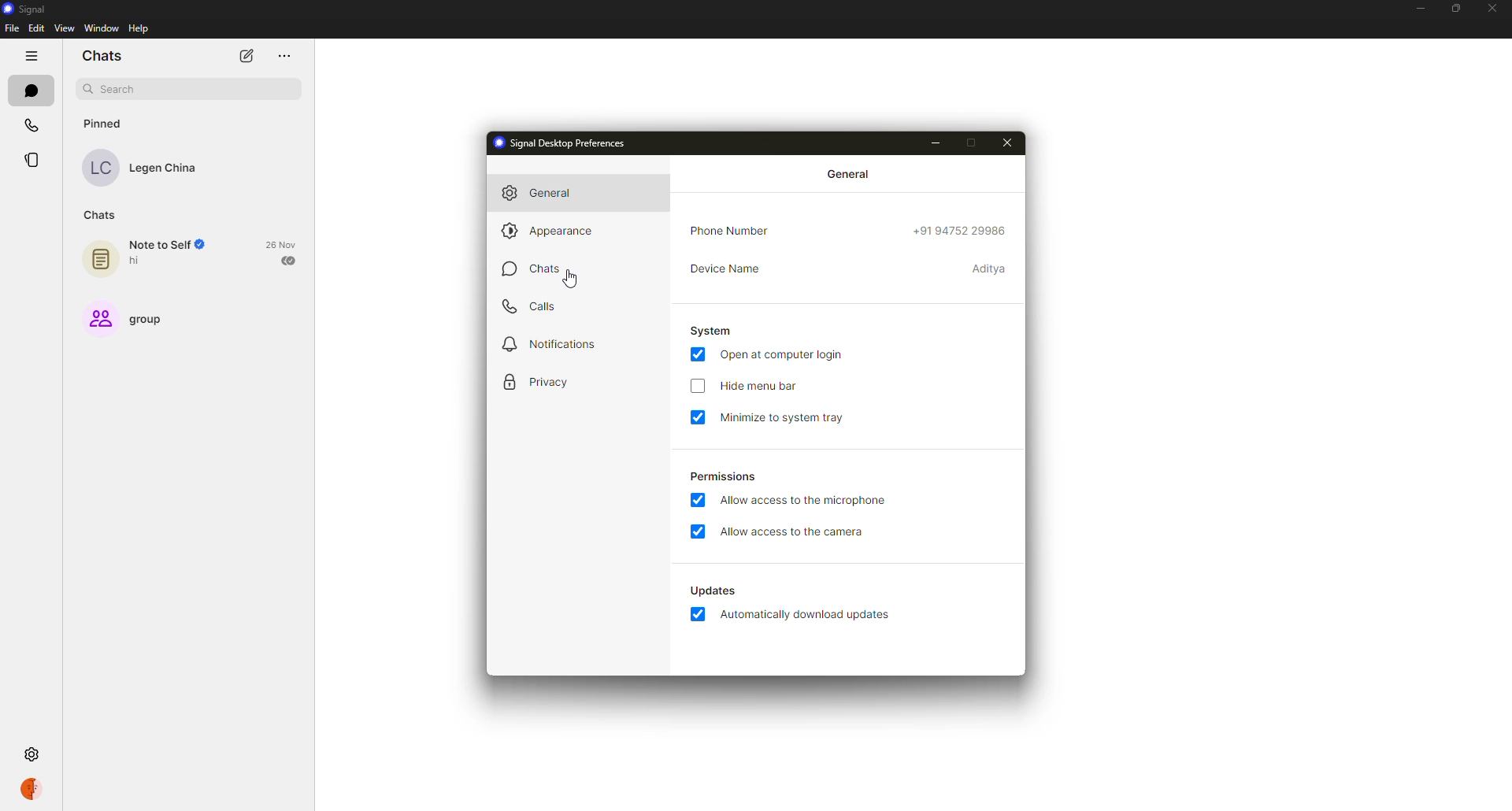 This screenshot has height=811, width=1512. Describe the element at coordinates (697, 387) in the screenshot. I see `click to enable` at that location.